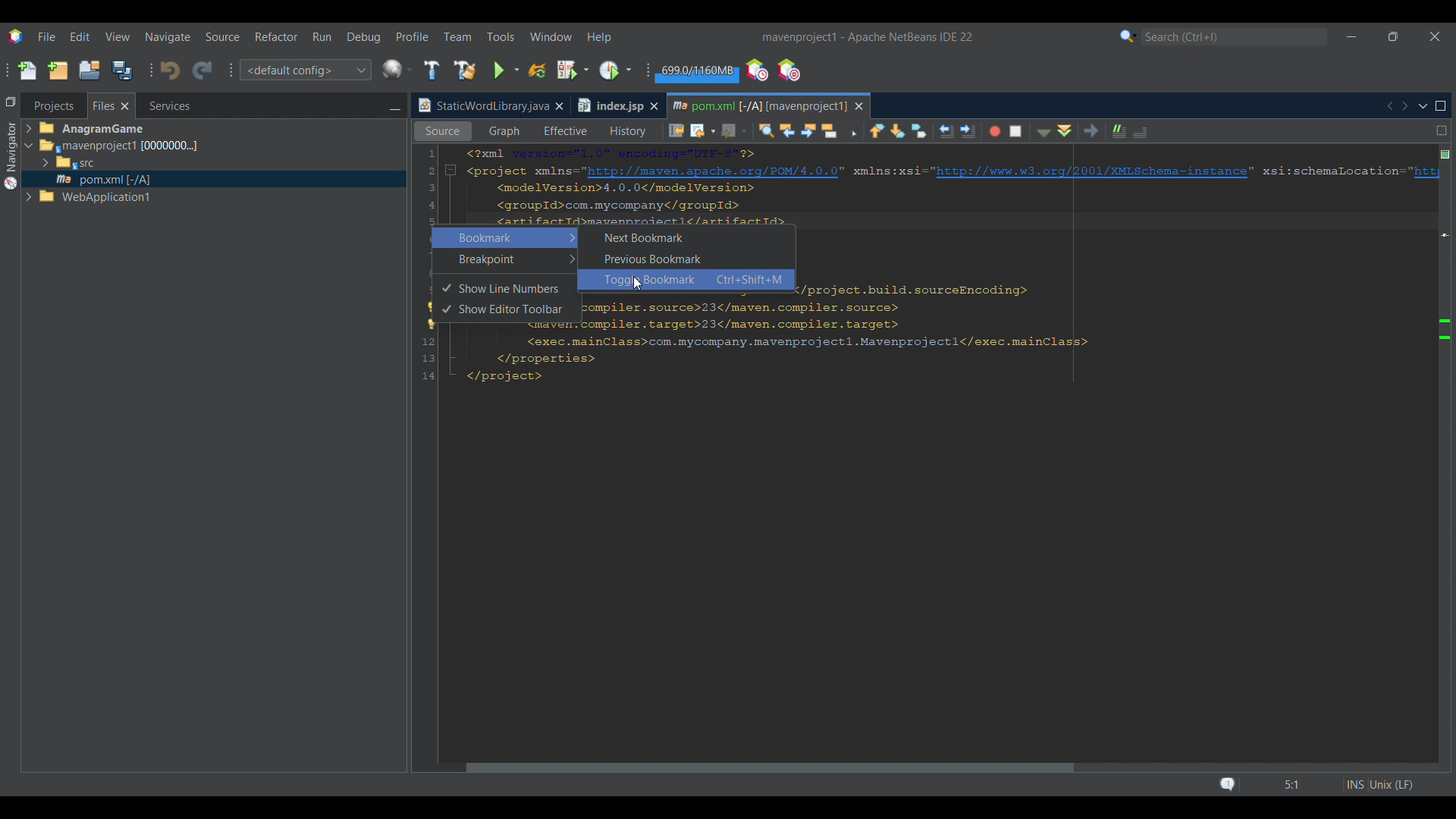 This screenshot has width=1456, height=819. I want to click on Close interface, so click(1436, 36).